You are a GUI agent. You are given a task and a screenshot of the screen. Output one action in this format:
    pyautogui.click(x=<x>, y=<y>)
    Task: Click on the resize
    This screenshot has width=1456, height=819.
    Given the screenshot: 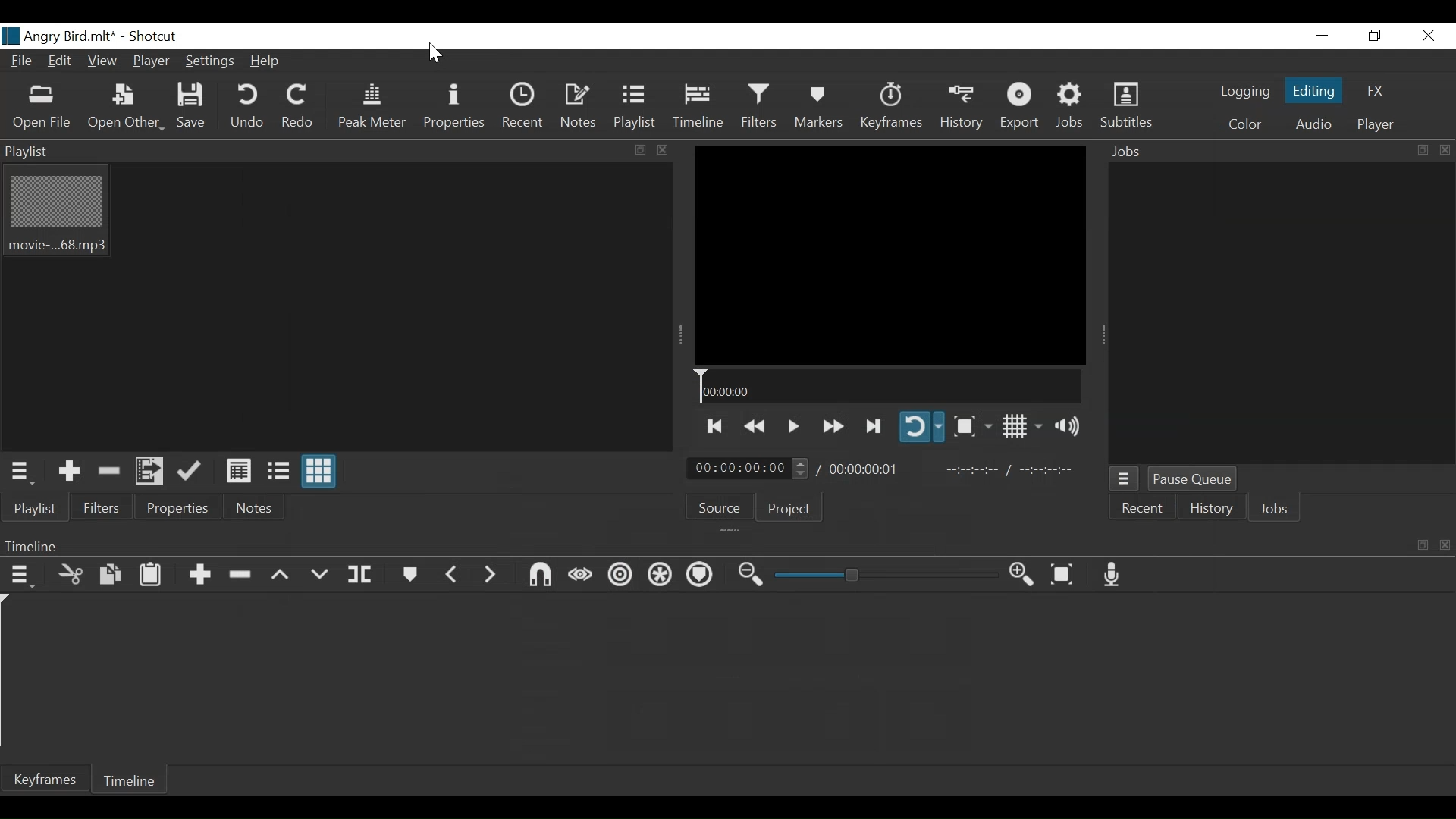 What is the action you would take?
    pyautogui.click(x=1421, y=545)
    